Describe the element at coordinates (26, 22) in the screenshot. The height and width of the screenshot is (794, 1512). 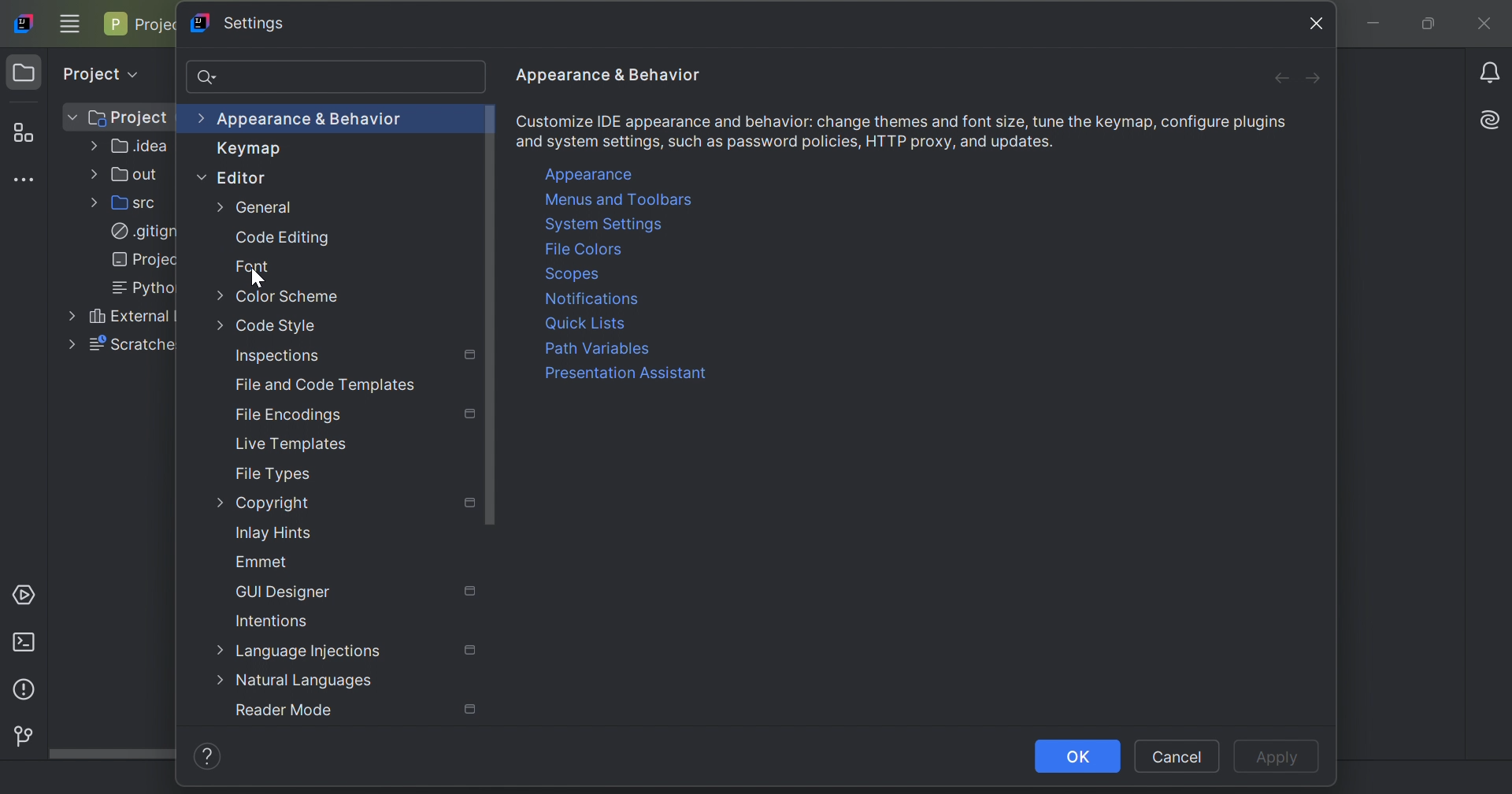
I see `IntelliJ IDEA icon` at that location.